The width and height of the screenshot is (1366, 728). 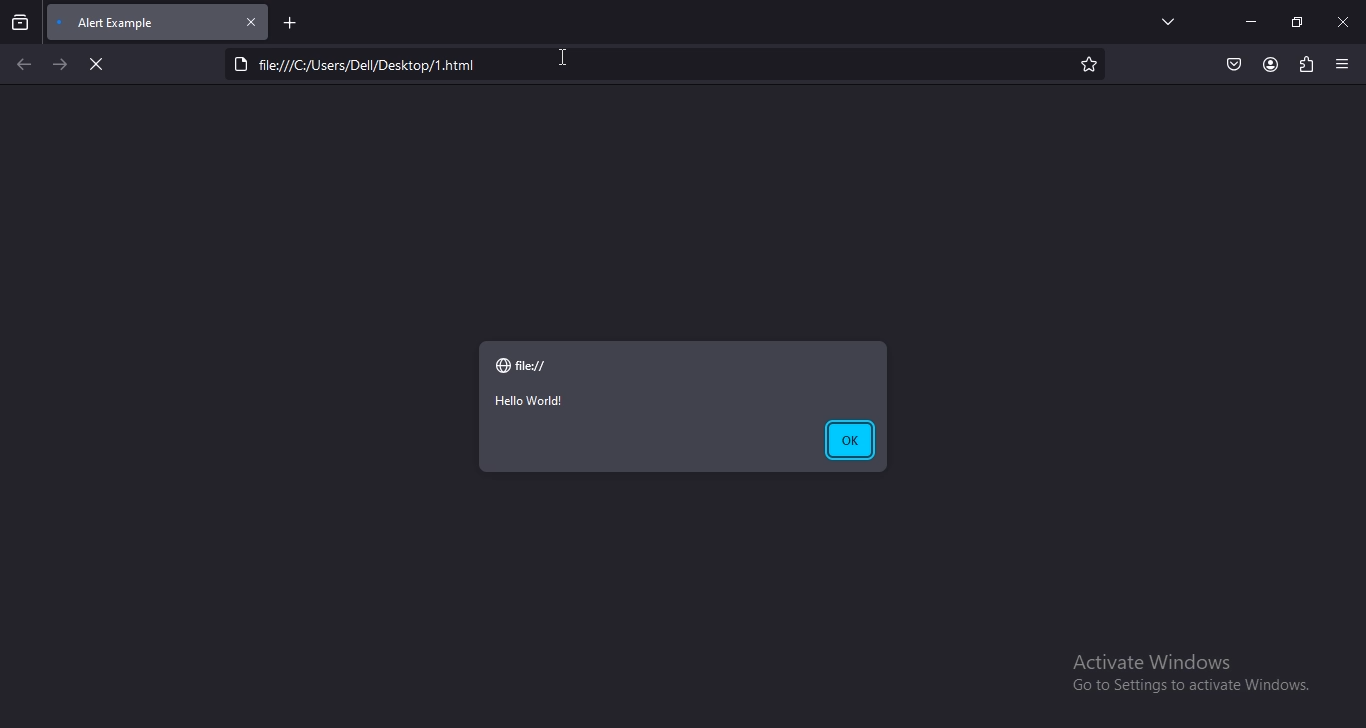 What do you see at coordinates (1183, 689) in the screenshot?
I see `Go to Settings to activate Windows.` at bounding box center [1183, 689].